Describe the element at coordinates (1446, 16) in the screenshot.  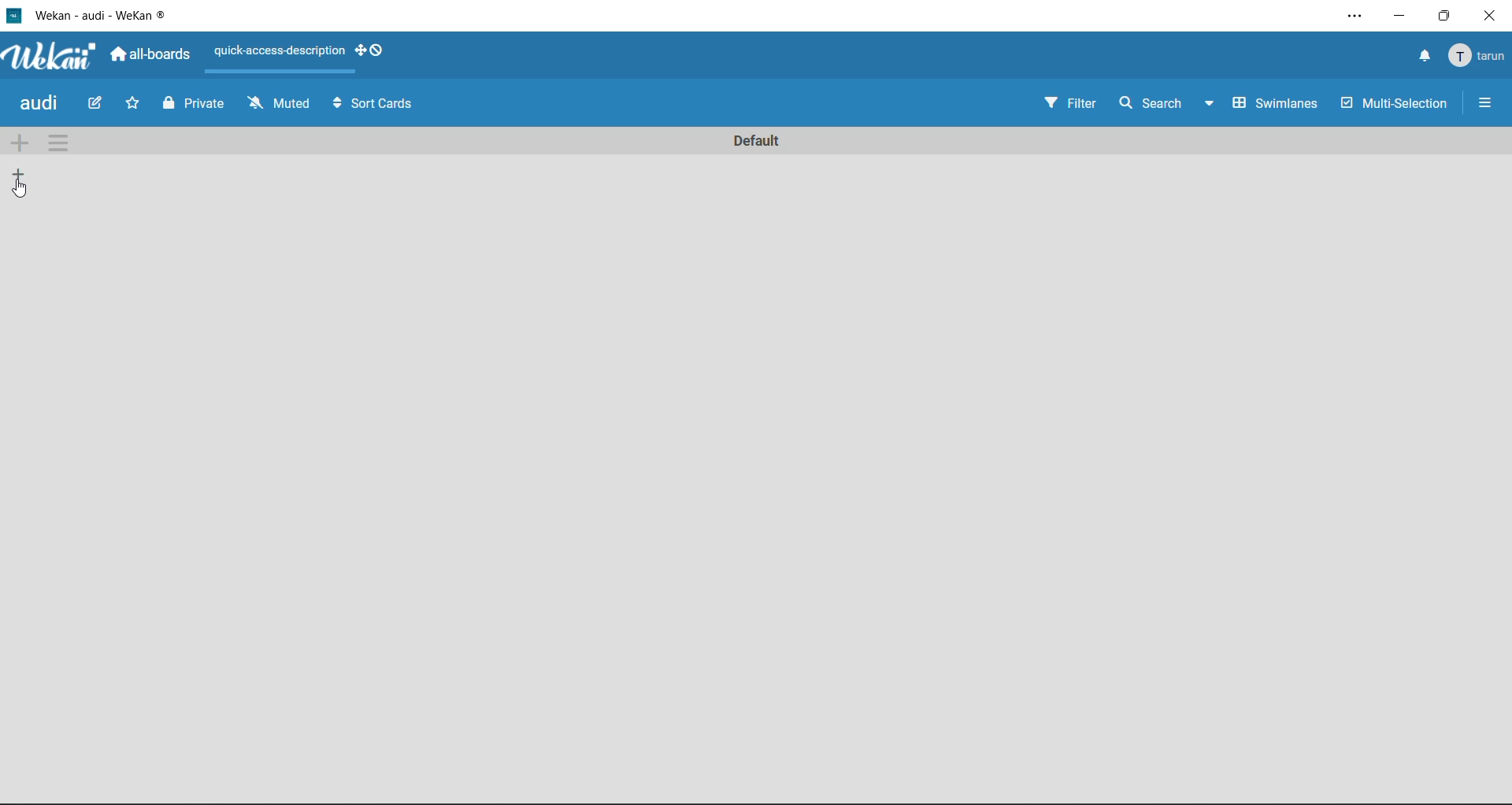
I see `maximize` at that location.